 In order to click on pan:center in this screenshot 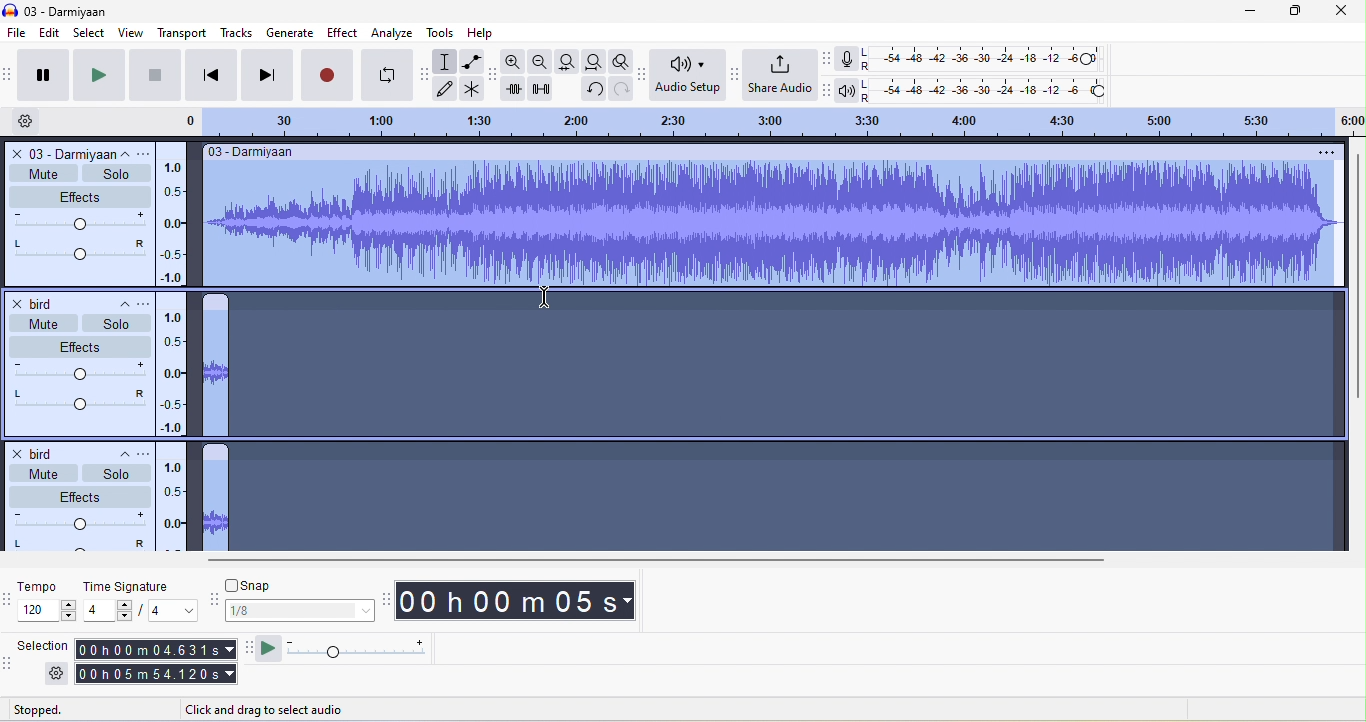, I will do `click(77, 545)`.